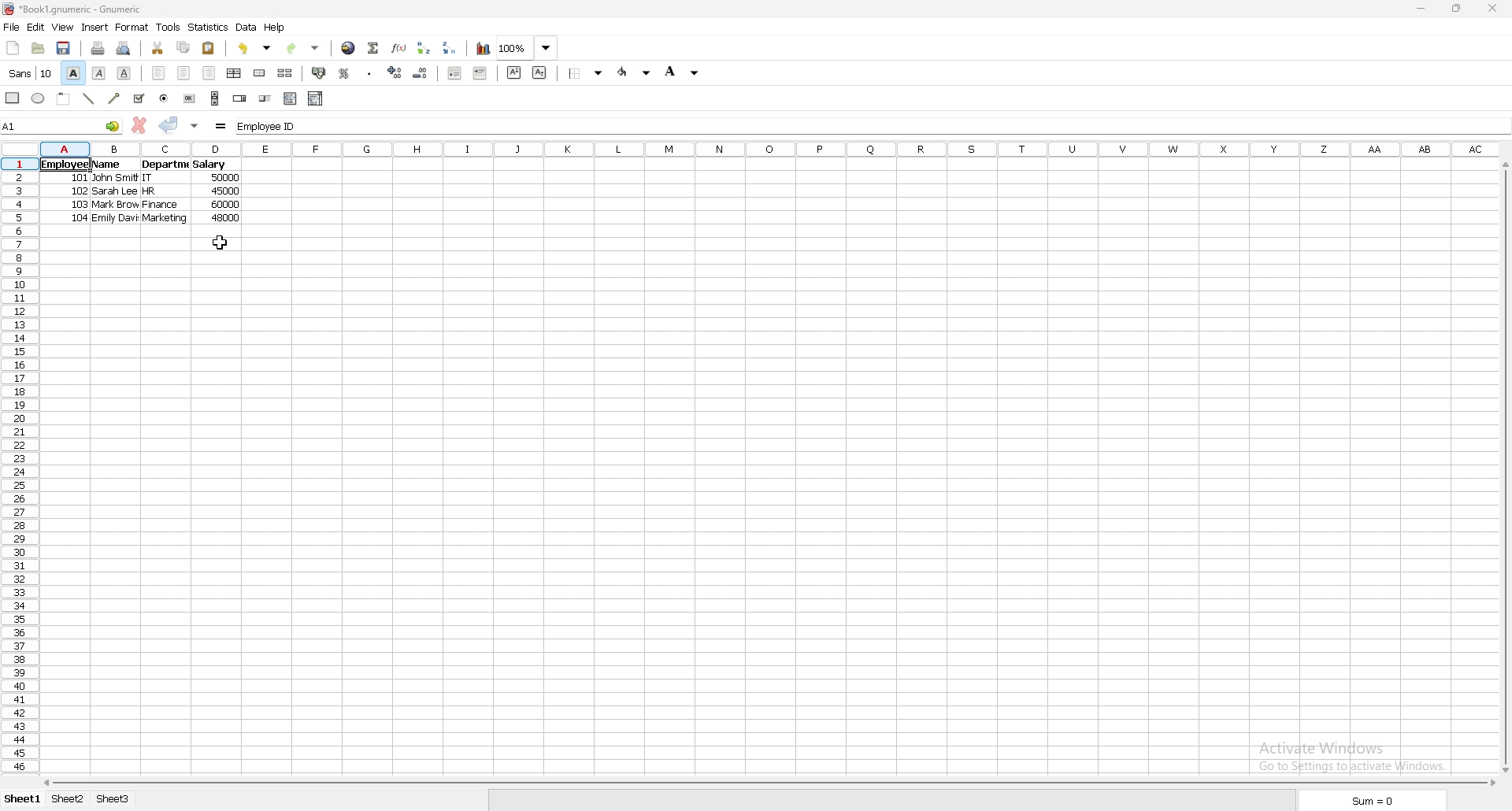  Describe the element at coordinates (871, 126) in the screenshot. I see `Employee ID` at that location.